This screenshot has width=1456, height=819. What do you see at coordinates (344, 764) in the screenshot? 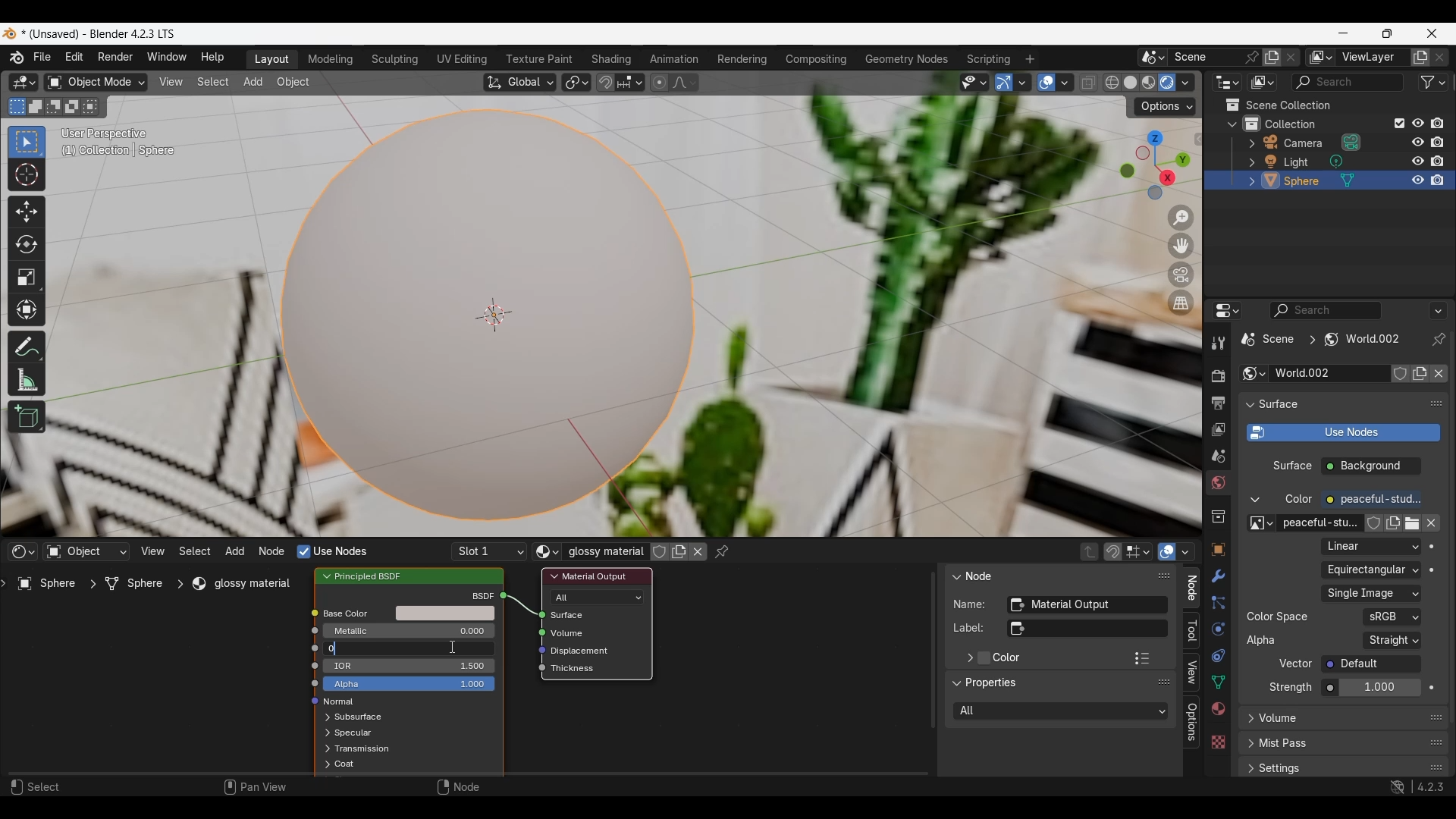
I see `Coat options` at bounding box center [344, 764].